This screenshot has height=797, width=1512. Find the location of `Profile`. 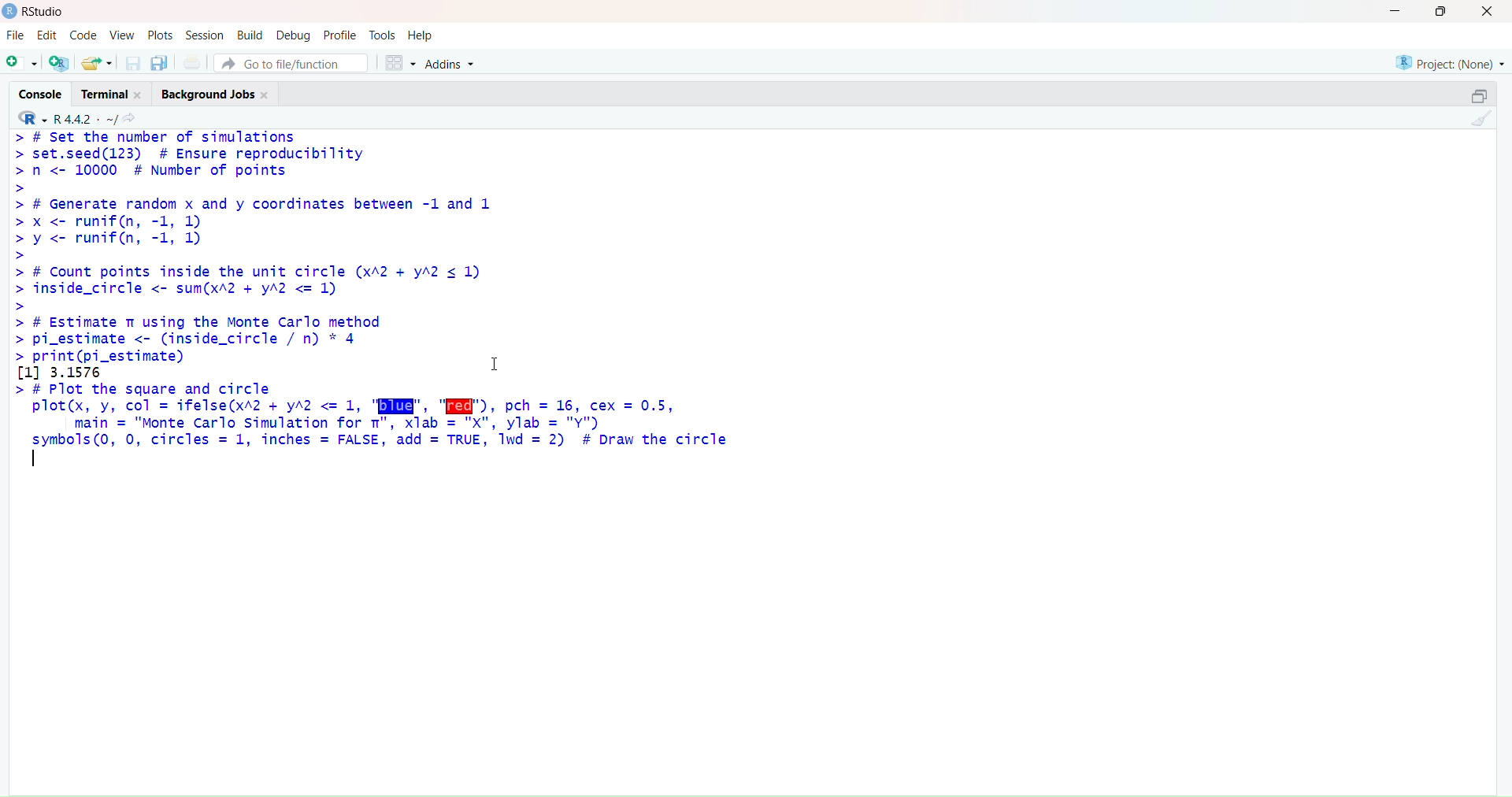

Profile is located at coordinates (343, 33).